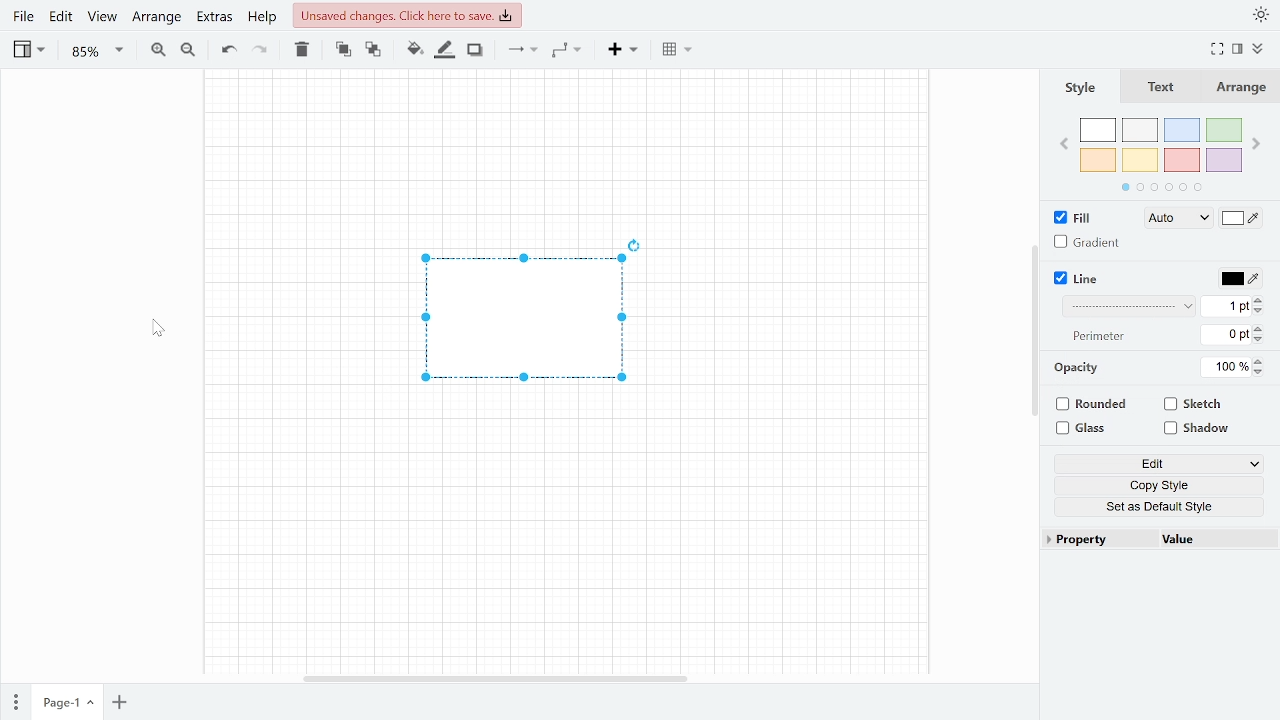  Describe the element at coordinates (1081, 84) in the screenshot. I see `Style` at that location.